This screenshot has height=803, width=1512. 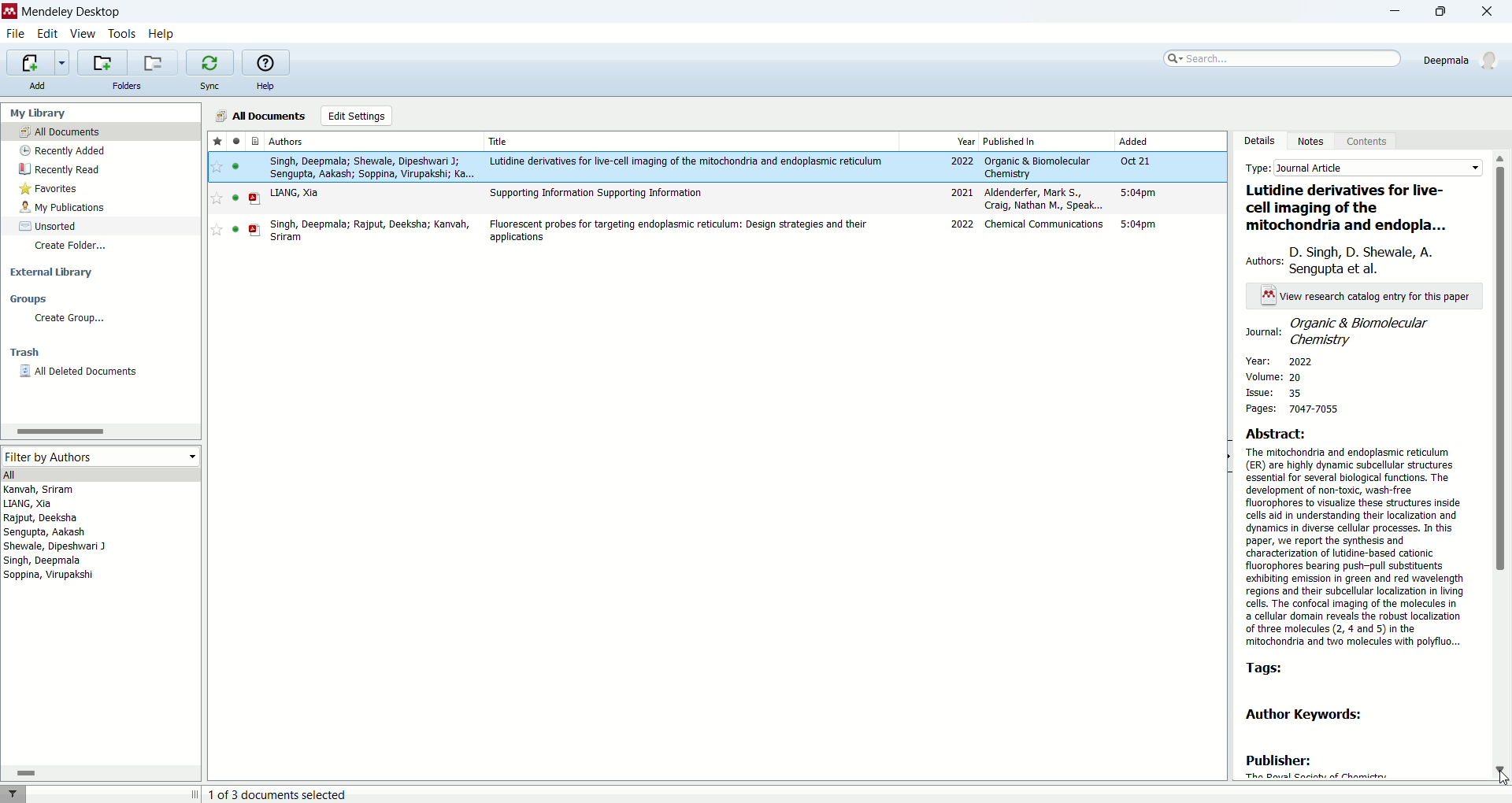 What do you see at coordinates (1355, 331) in the screenshot?
I see `journal: organic & biomolecular chemistry` at bounding box center [1355, 331].